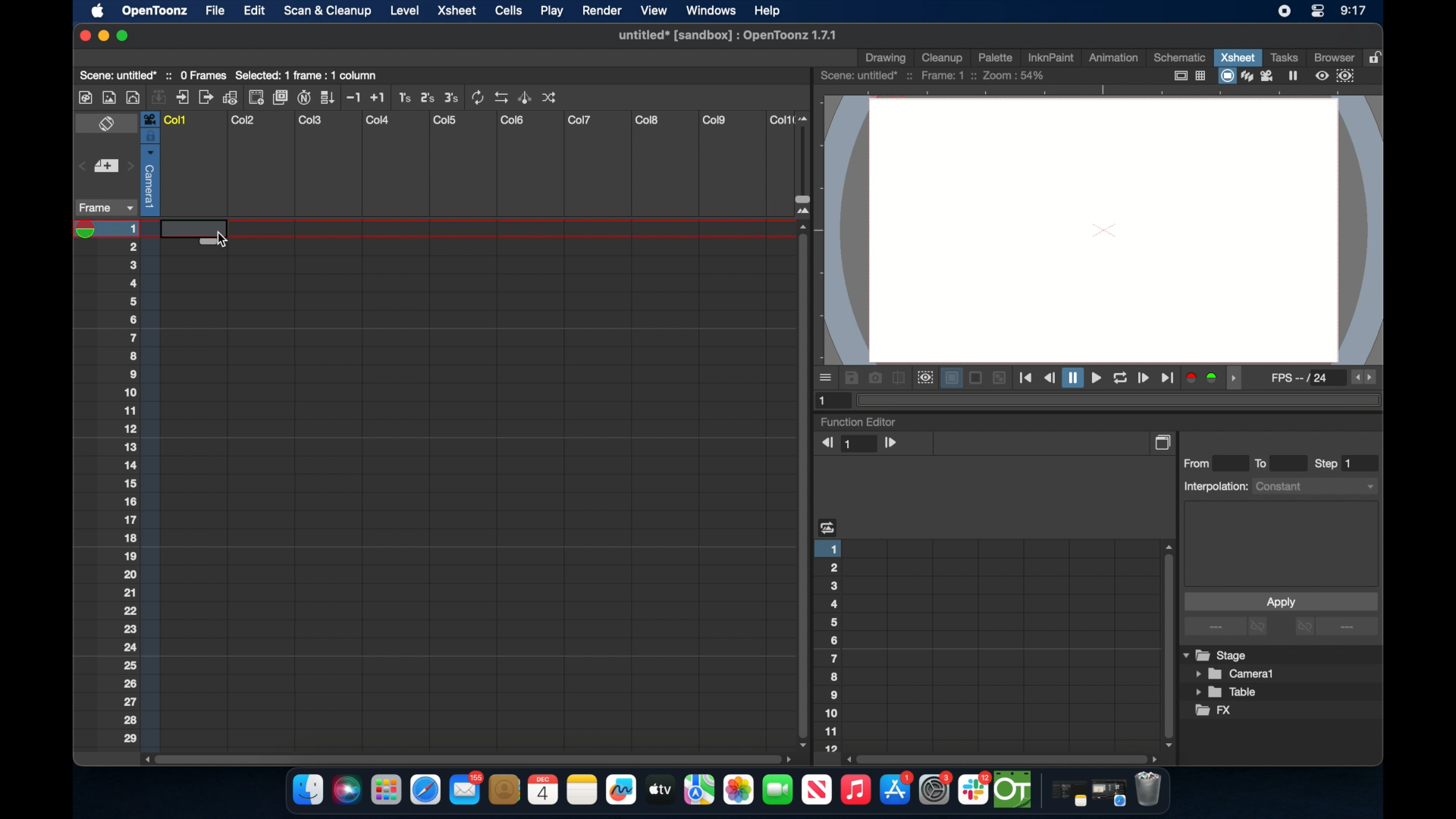 Image resolution: width=1456 pixels, height=819 pixels. Describe the element at coordinates (1065, 795) in the screenshot. I see `notes` at that location.